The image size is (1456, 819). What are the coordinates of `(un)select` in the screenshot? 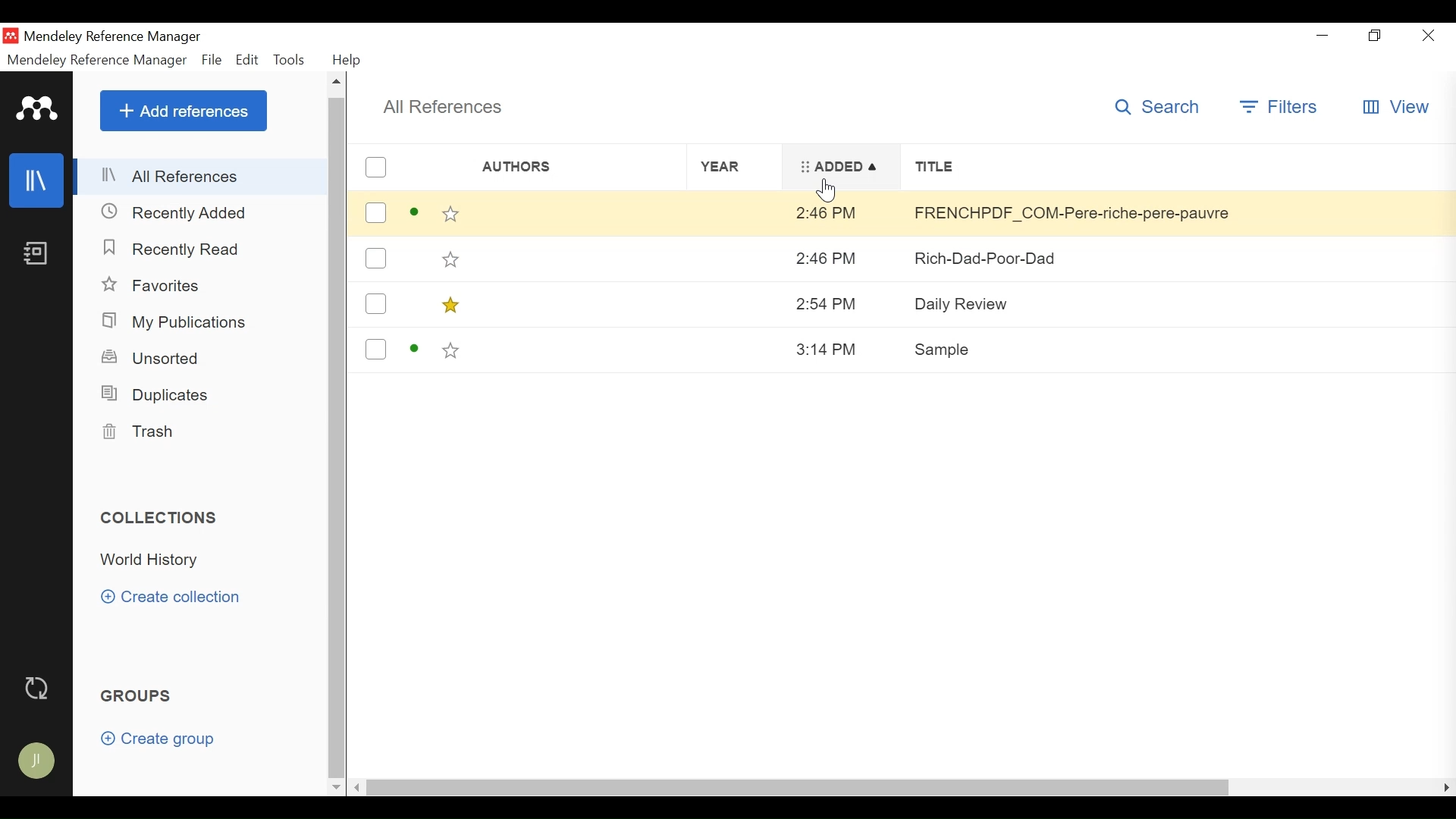 It's located at (375, 303).